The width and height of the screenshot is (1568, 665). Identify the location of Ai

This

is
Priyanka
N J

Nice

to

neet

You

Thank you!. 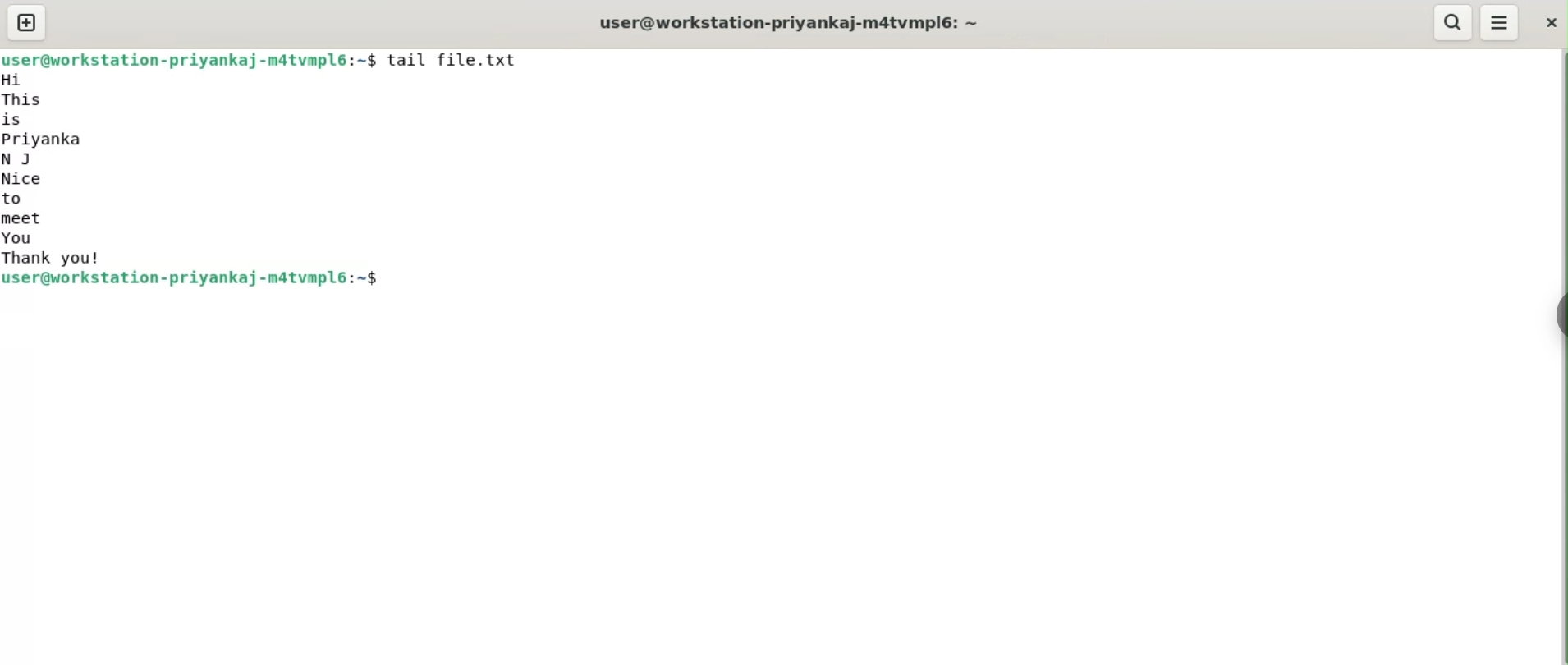
(54, 170).